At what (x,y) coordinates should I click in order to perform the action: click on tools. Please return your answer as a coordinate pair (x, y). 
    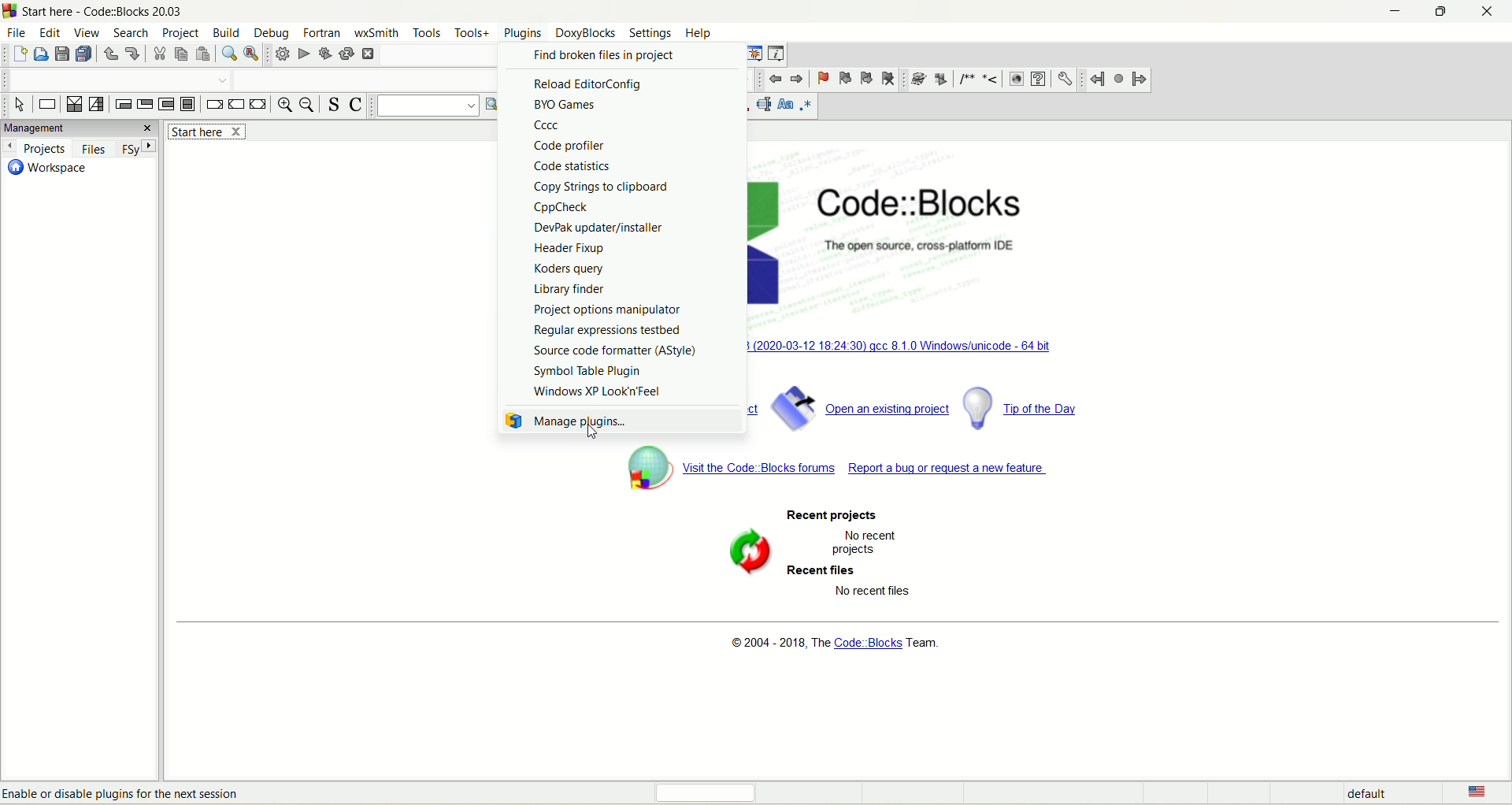
    Looking at the image, I should click on (430, 32).